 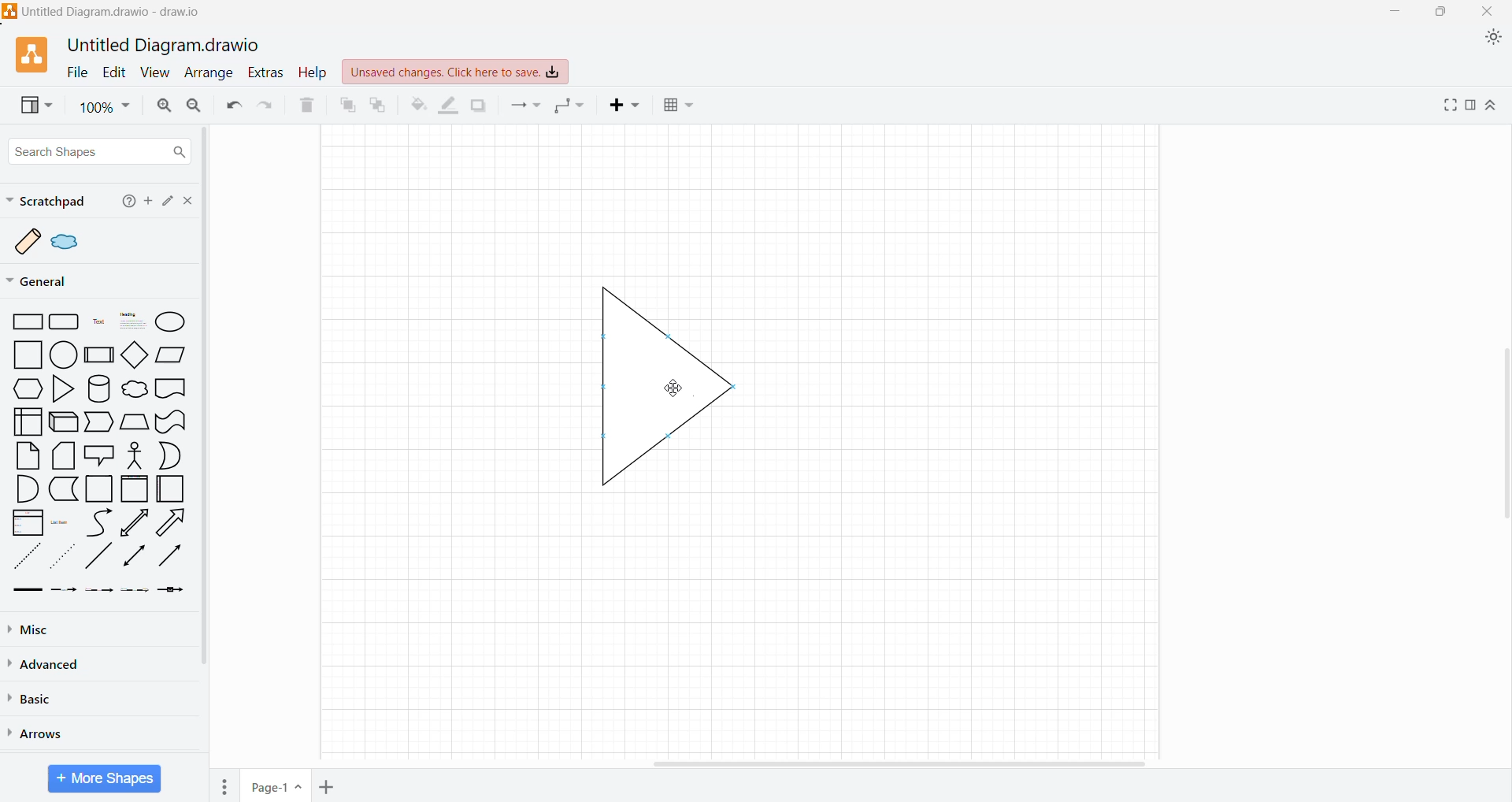 What do you see at coordinates (1441, 12) in the screenshot?
I see `Restore Down` at bounding box center [1441, 12].